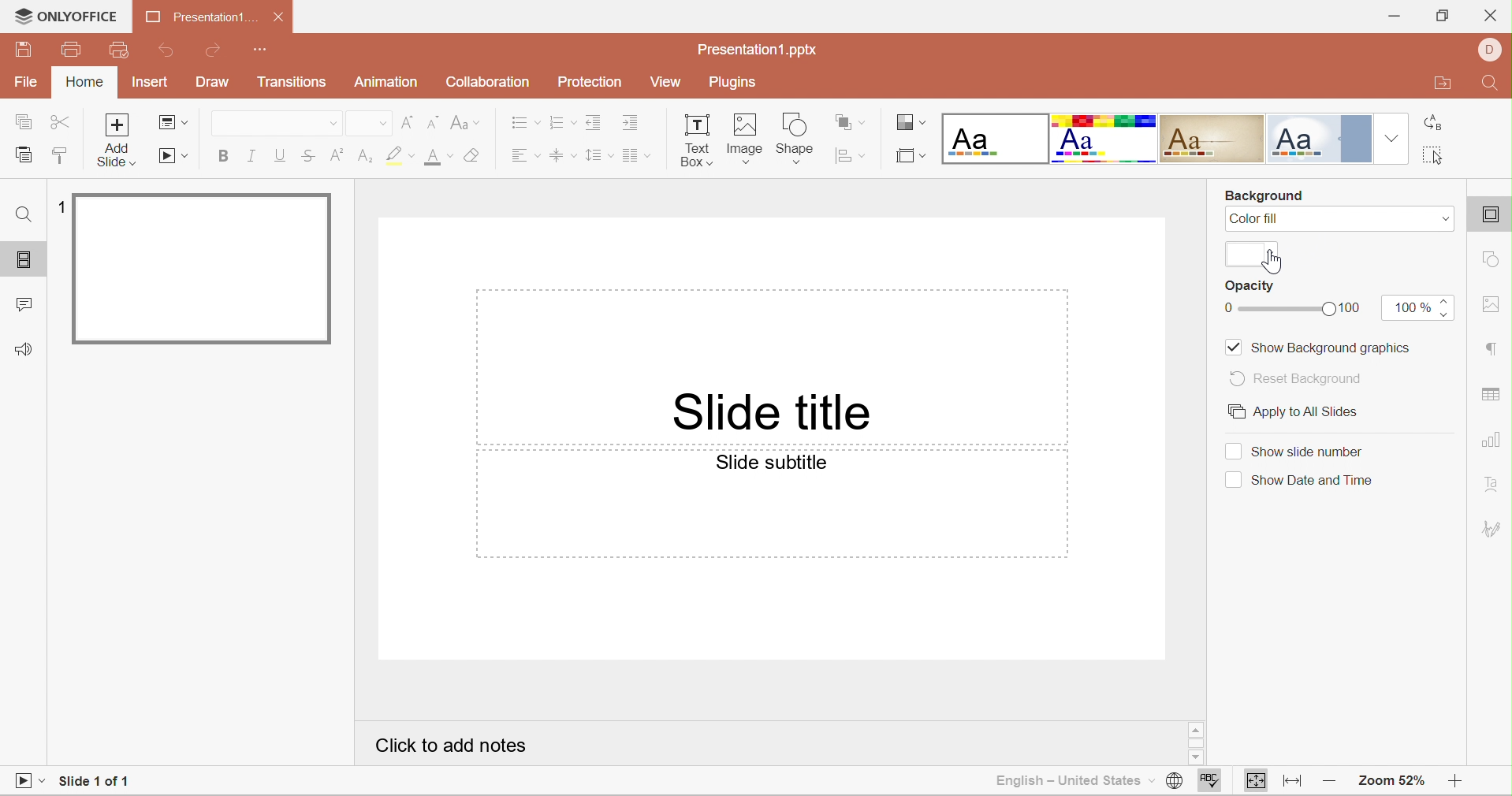 The image size is (1512, 796). What do you see at coordinates (598, 154) in the screenshot?
I see `Line spacing` at bounding box center [598, 154].